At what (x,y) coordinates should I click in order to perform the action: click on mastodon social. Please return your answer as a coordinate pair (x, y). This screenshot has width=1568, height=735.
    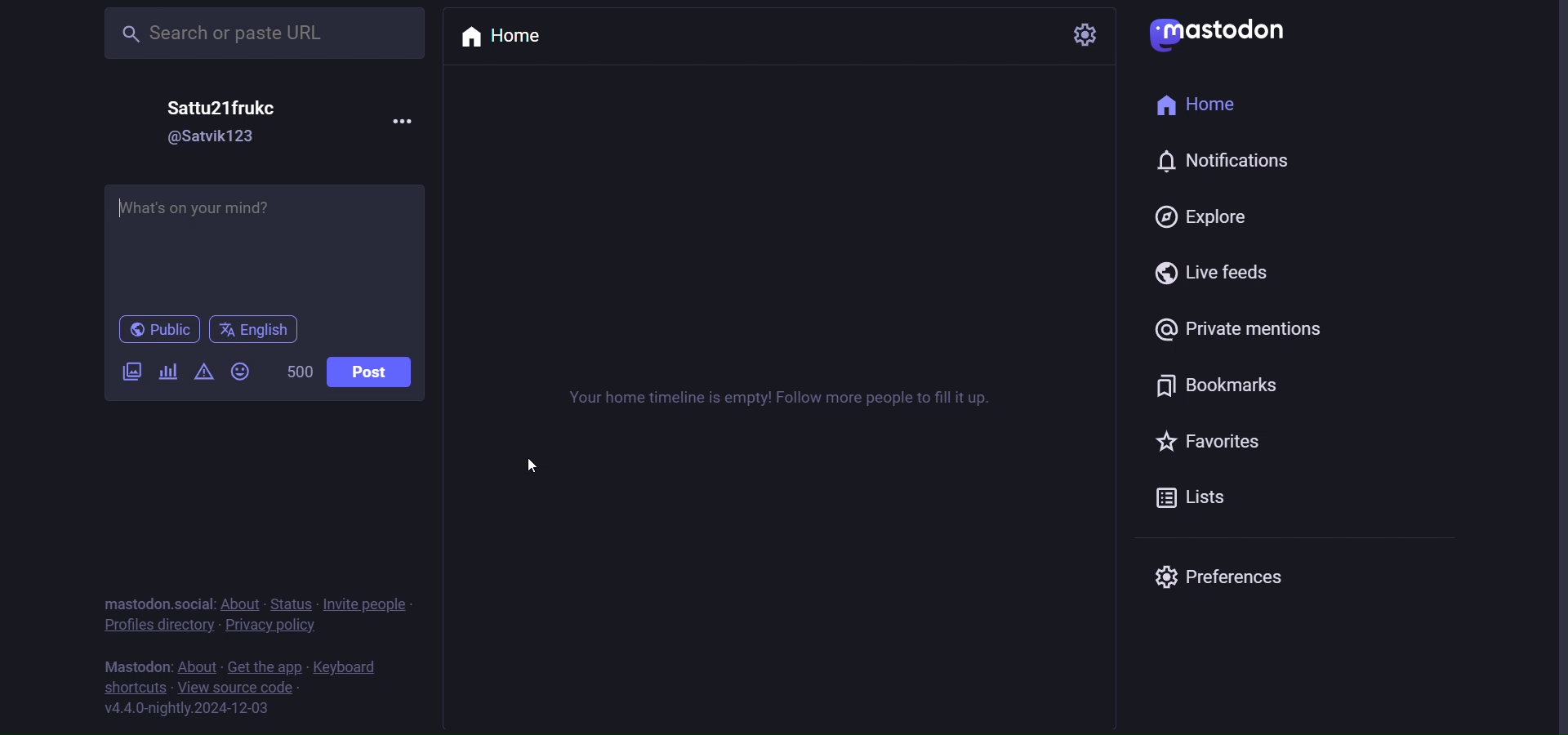
    Looking at the image, I should click on (158, 602).